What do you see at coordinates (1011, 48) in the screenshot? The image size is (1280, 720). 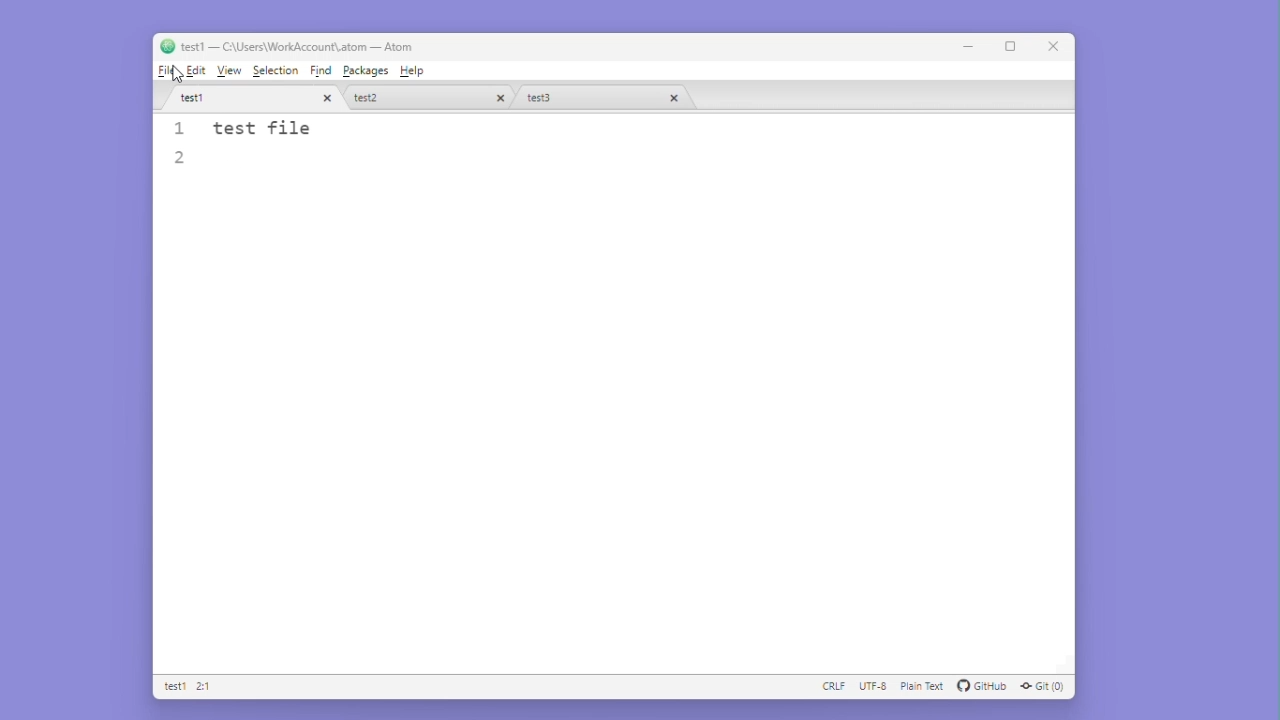 I see `Maximize` at bounding box center [1011, 48].